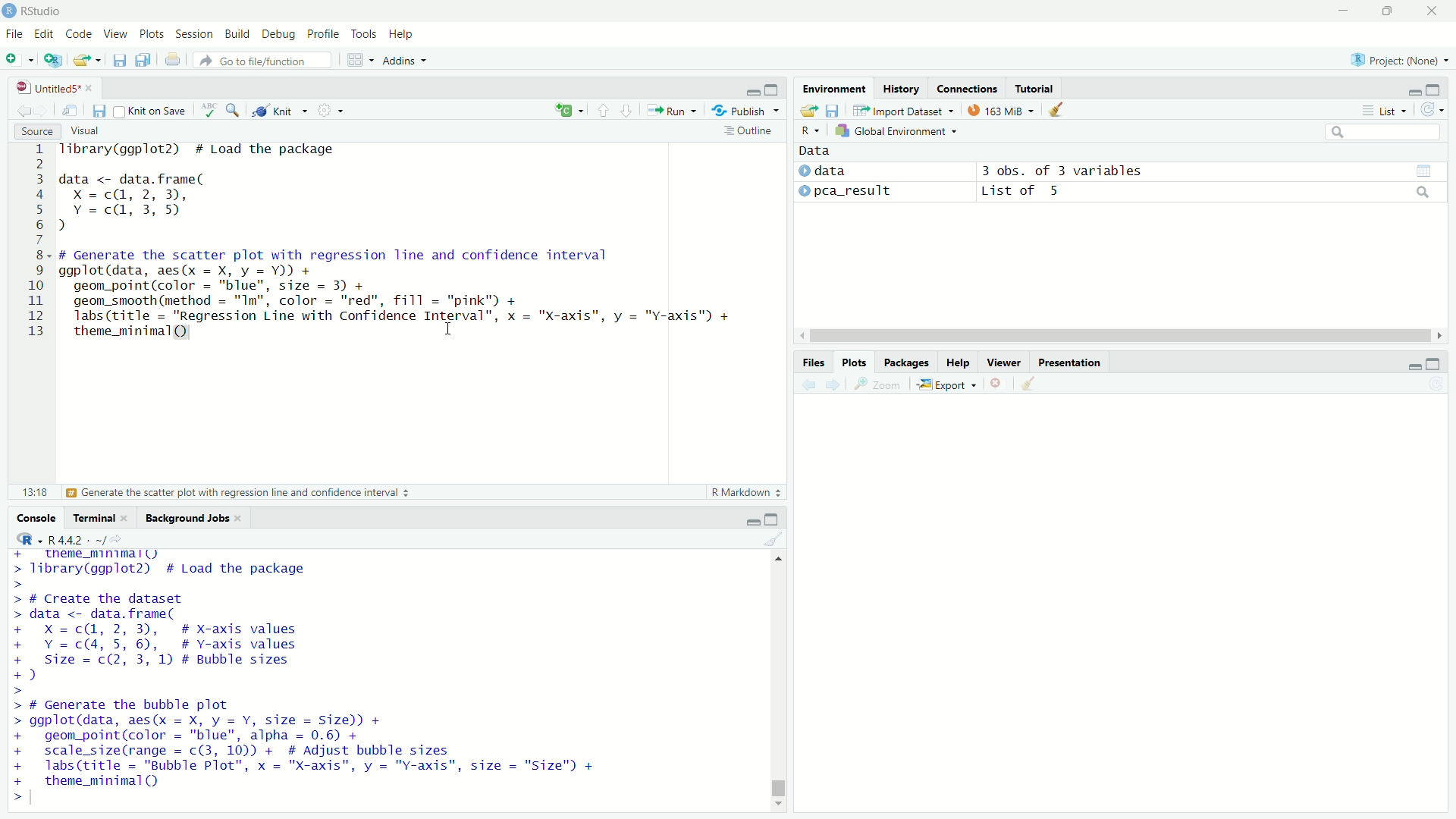 Image resolution: width=1456 pixels, height=819 pixels. Describe the element at coordinates (1024, 191) in the screenshot. I see `List of 5` at that location.